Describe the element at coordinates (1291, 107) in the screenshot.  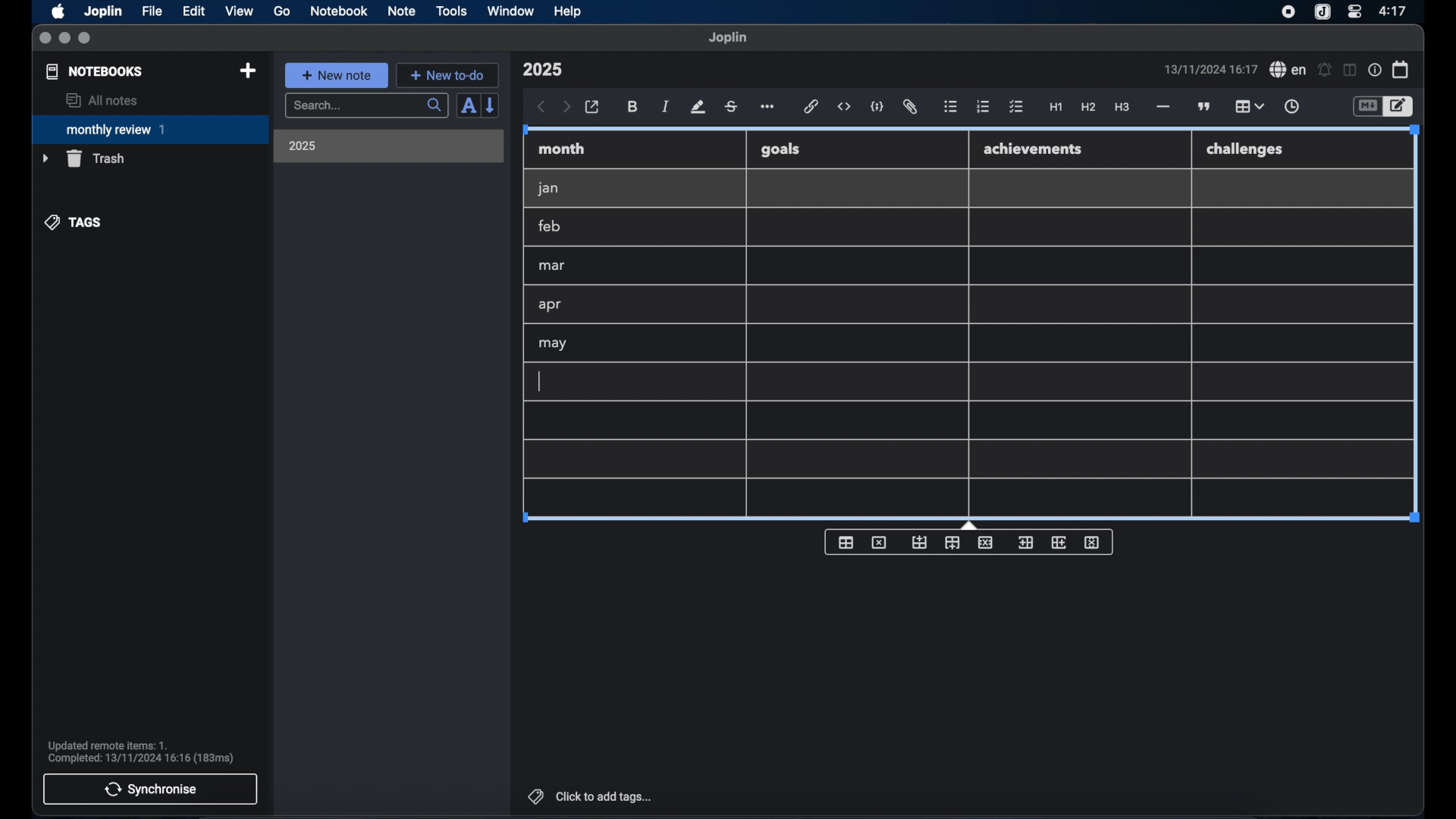
I see `insert time` at that location.